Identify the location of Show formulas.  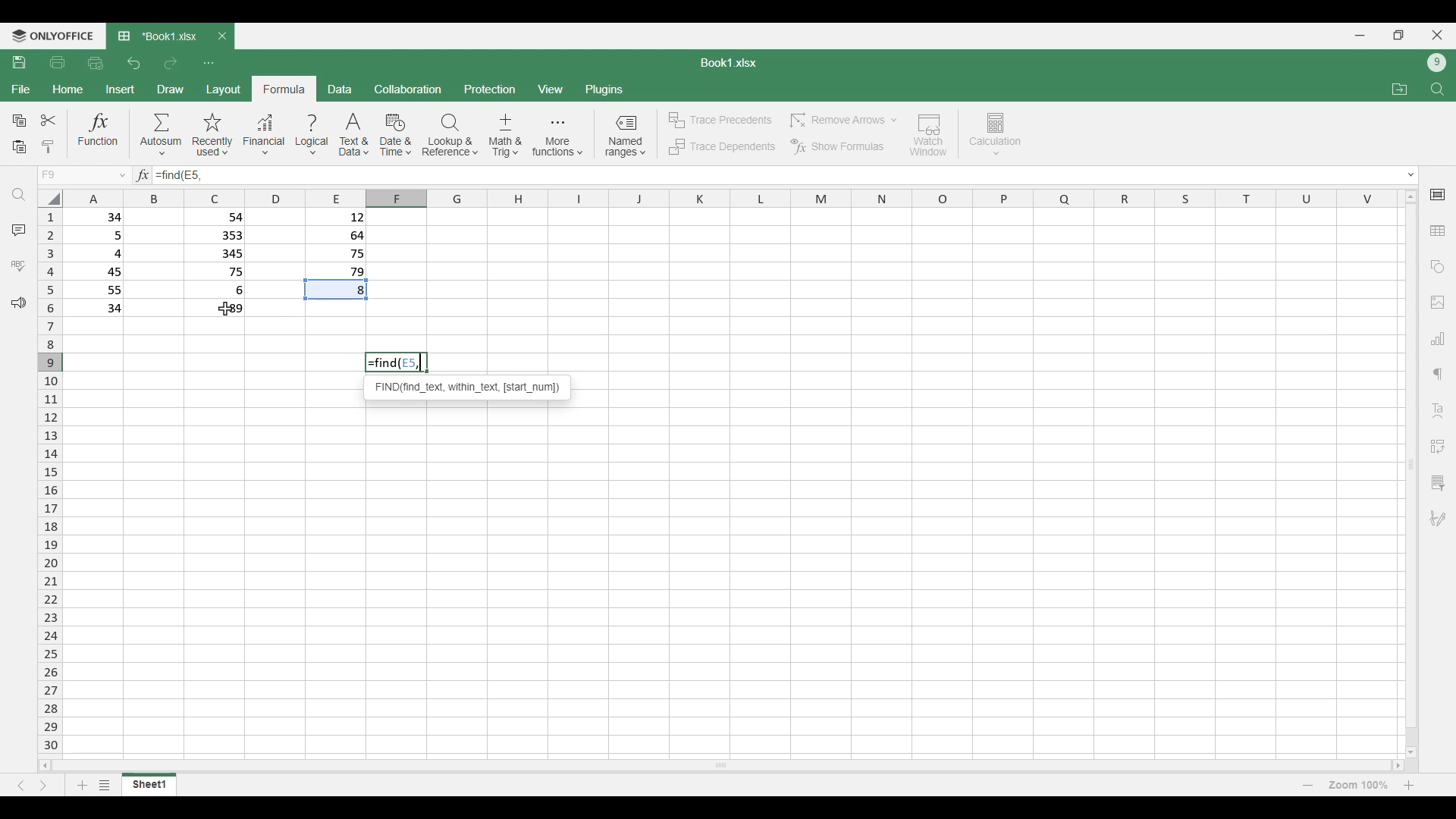
(836, 147).